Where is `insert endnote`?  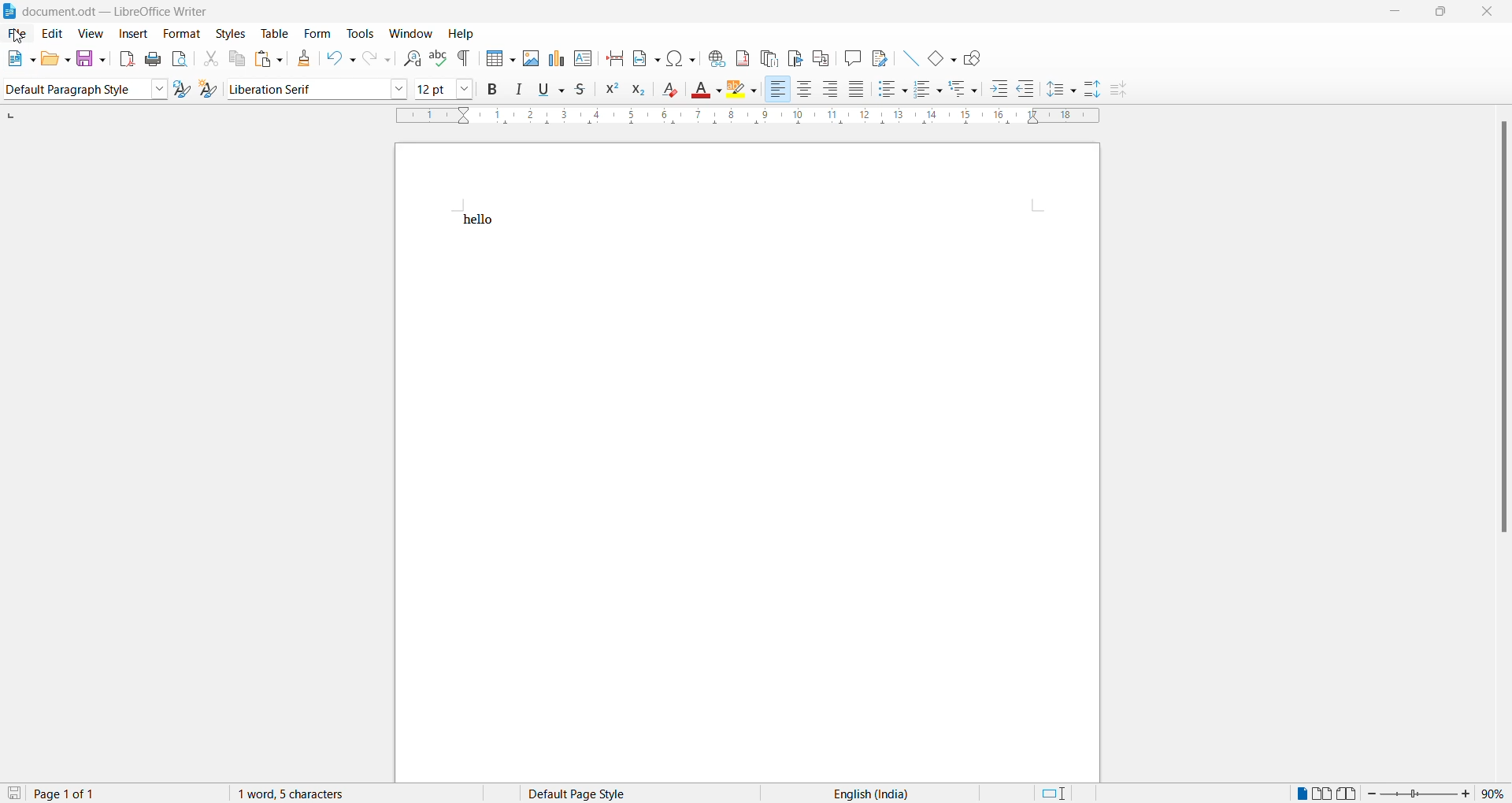
insert endnote is located at coordinates (767, 58).